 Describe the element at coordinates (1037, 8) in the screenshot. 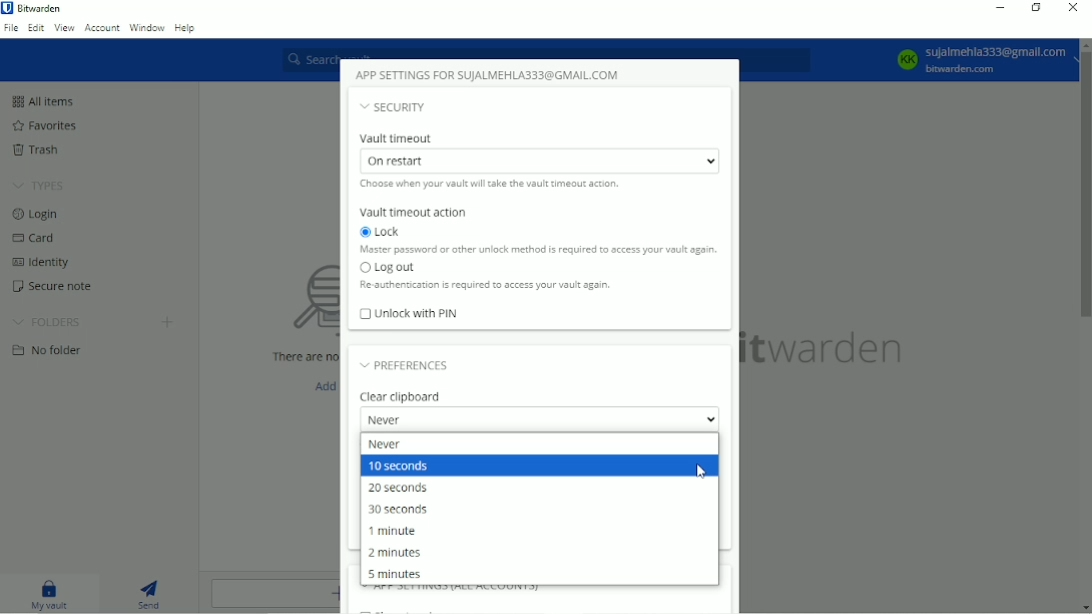

I see `Restore down` at that location.